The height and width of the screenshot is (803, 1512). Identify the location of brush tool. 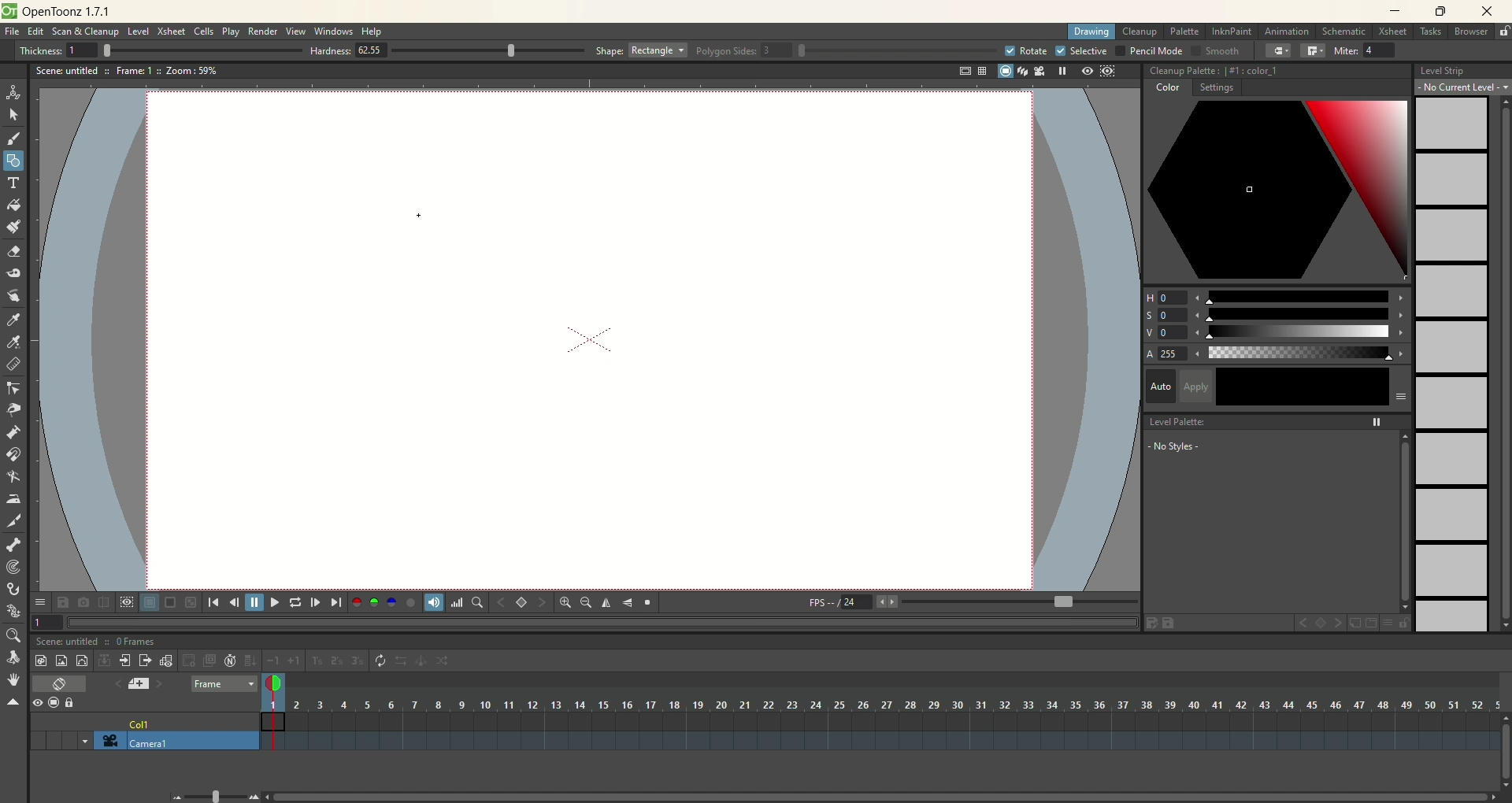
(15, 140).